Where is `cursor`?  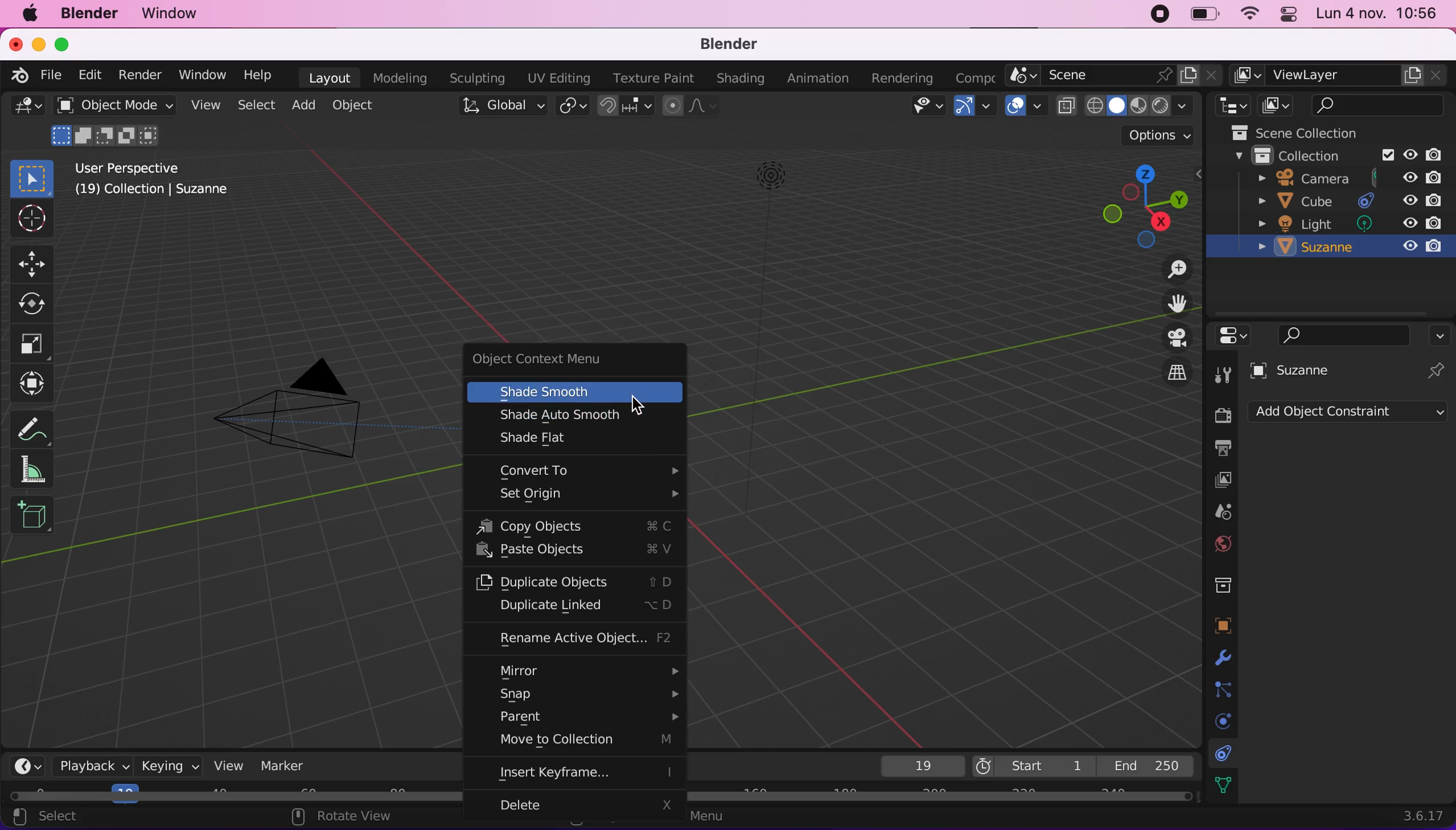
cursor is located at coordinates (637, 398).